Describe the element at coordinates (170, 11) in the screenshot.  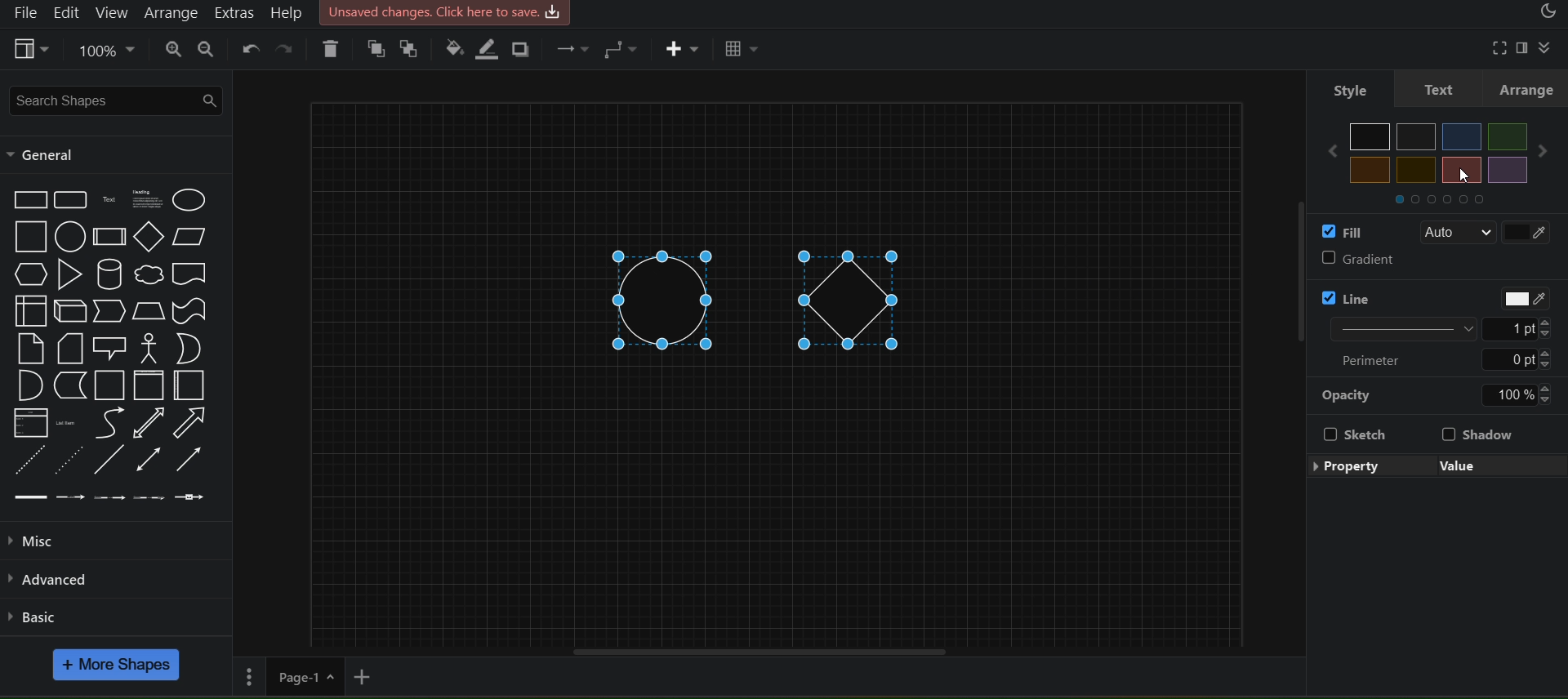
I see `arrange` at that location.